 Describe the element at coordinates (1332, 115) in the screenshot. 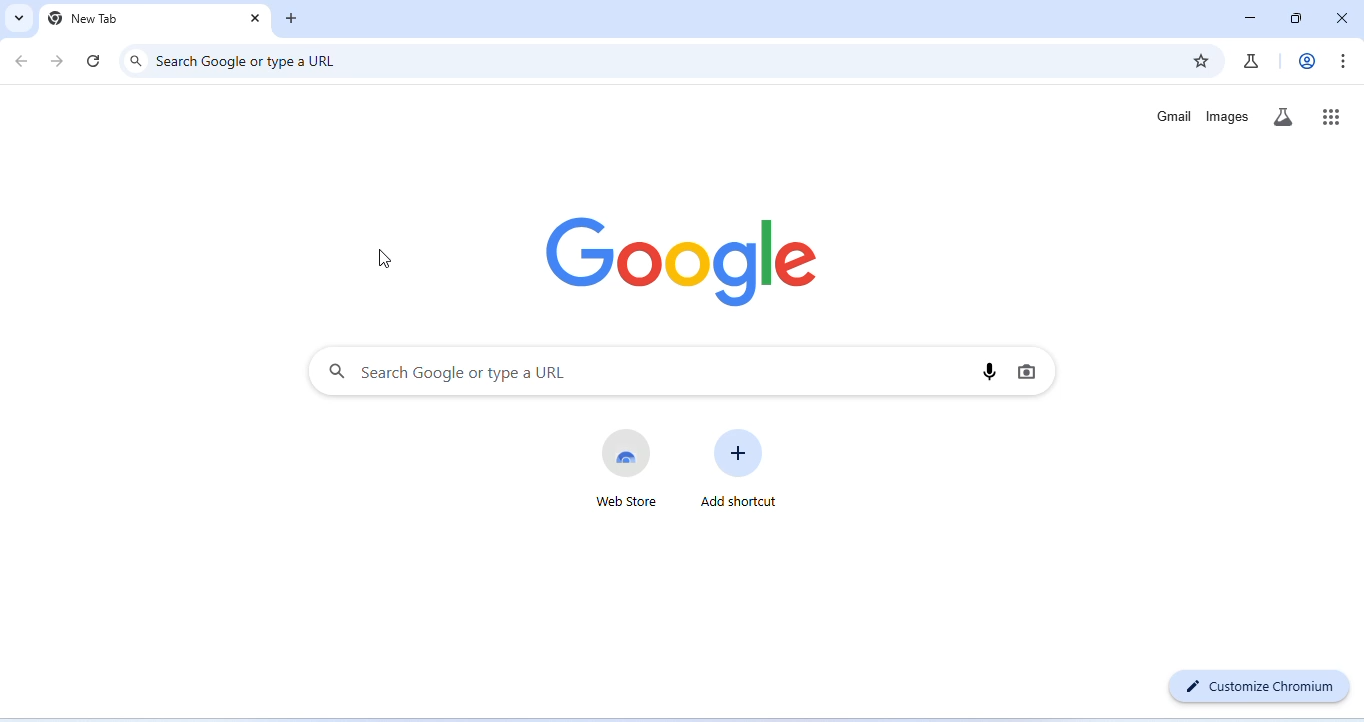

I see `google apps` at that location.